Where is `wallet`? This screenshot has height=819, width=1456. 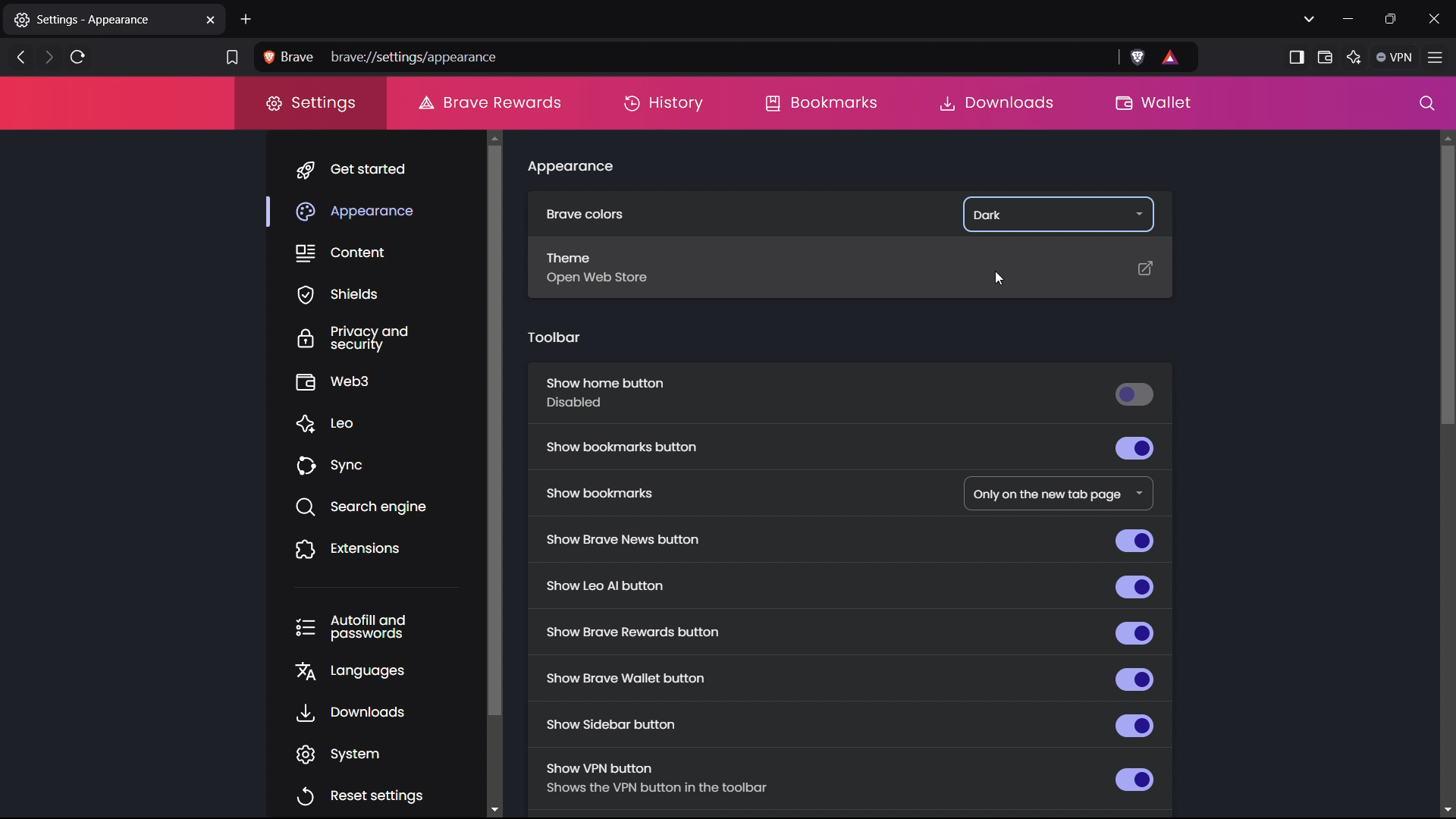
wallet is located at coordinates (1151, 104).